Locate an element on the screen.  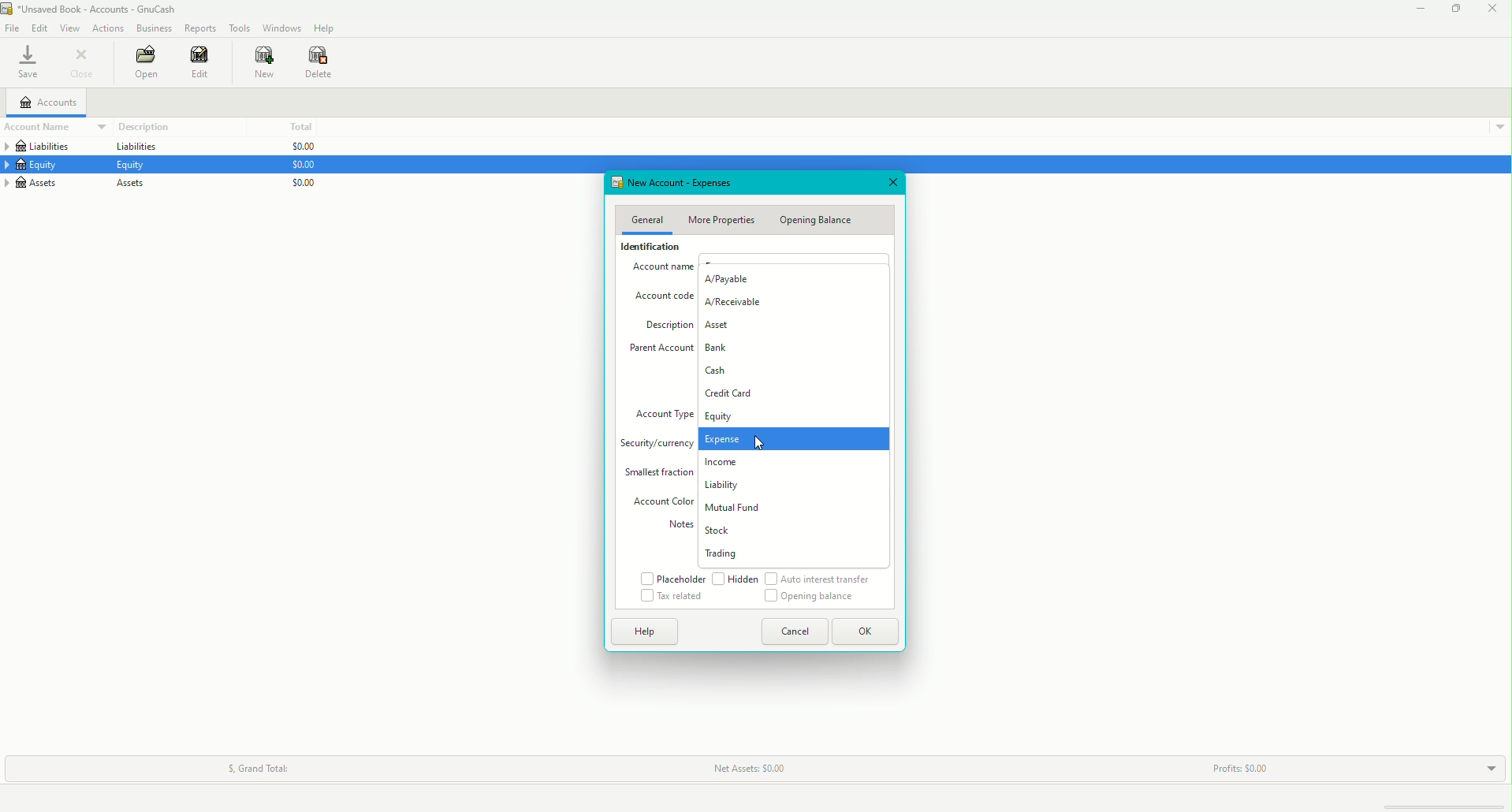
Liabilities is located at coordinates (46, 147).